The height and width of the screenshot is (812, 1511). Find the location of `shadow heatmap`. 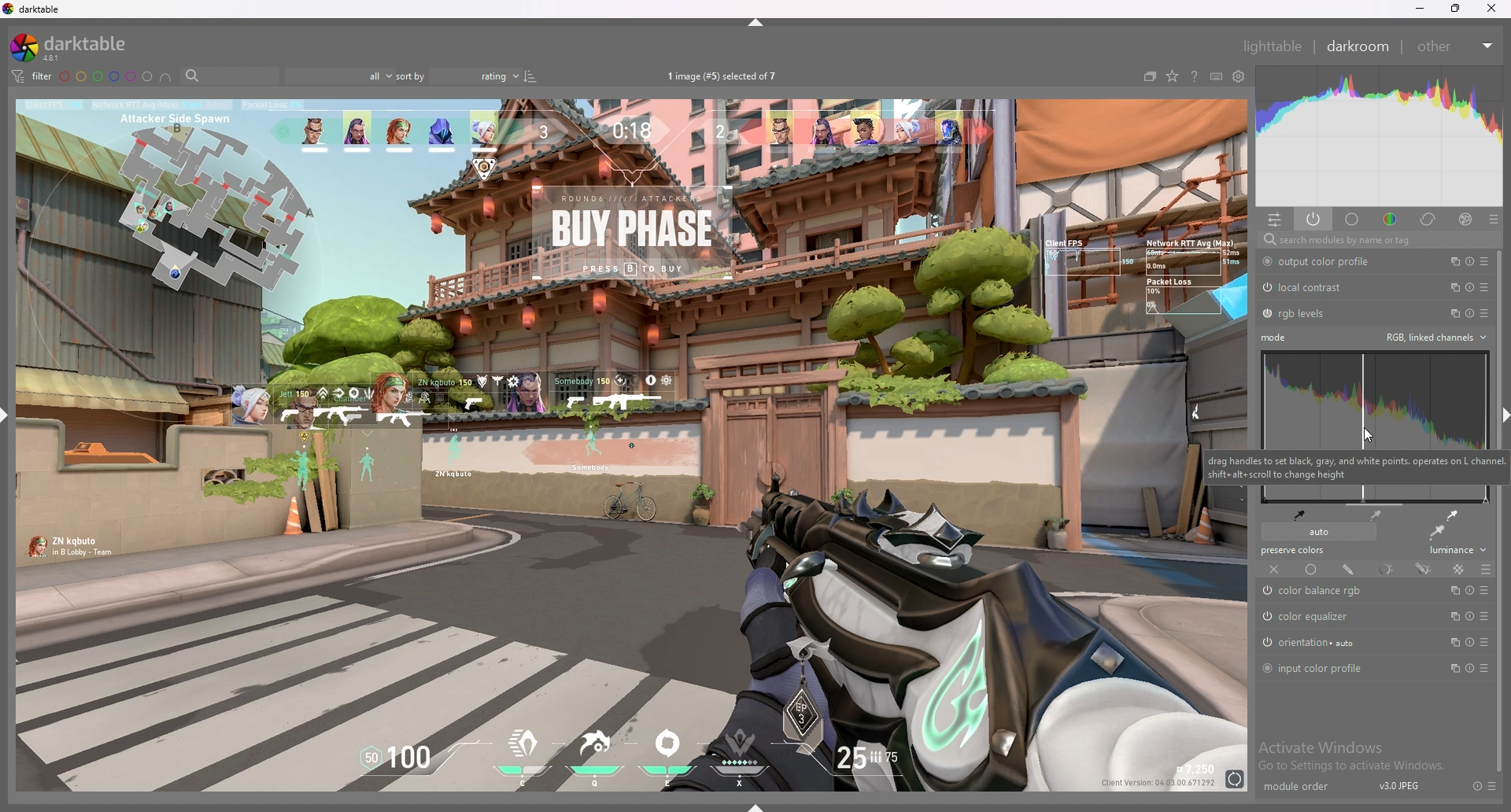

shadow heatmap is located at coordinates (1371, 426).